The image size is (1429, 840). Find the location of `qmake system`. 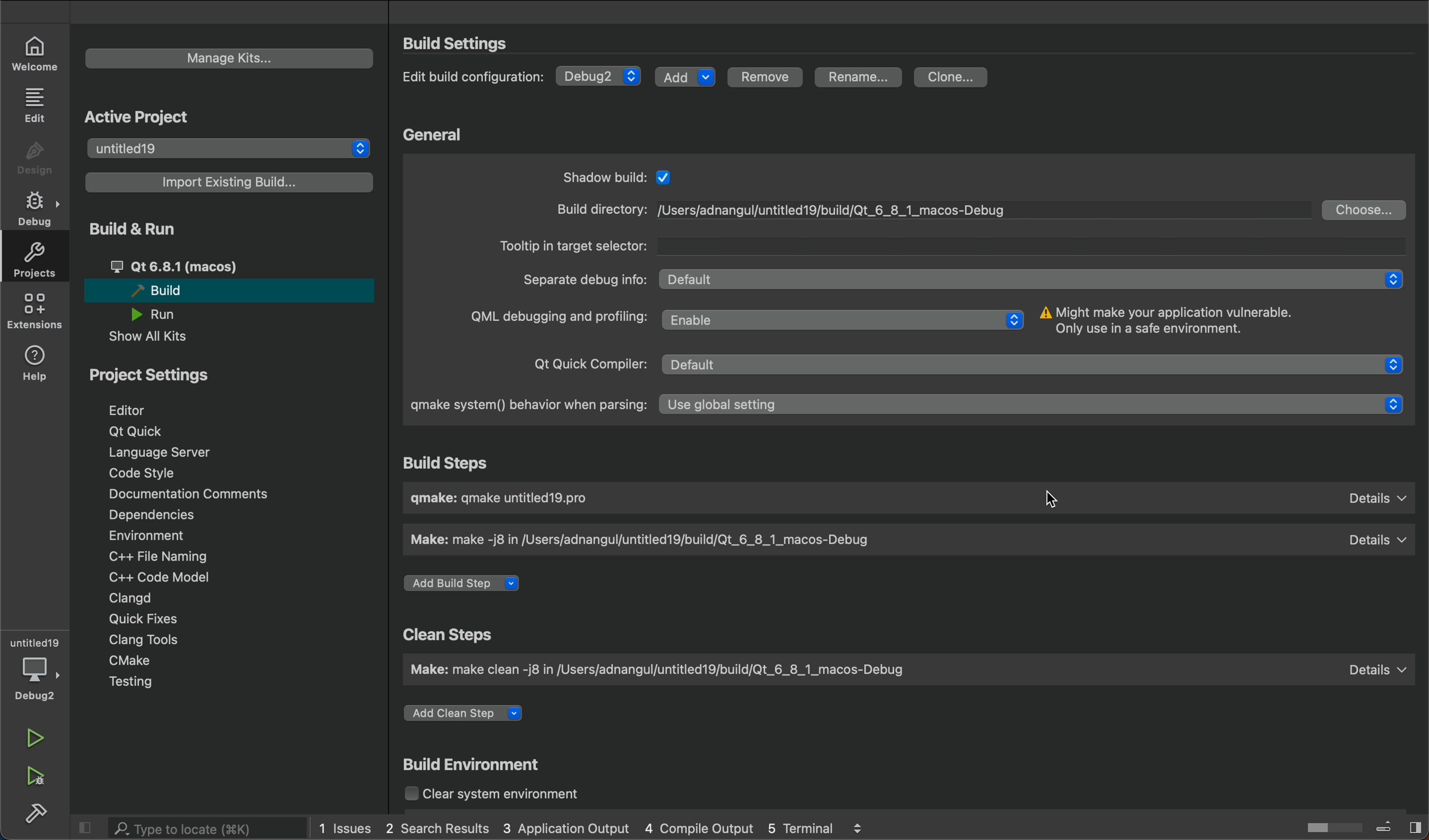

qmake system is located at coordinates (526, 405).